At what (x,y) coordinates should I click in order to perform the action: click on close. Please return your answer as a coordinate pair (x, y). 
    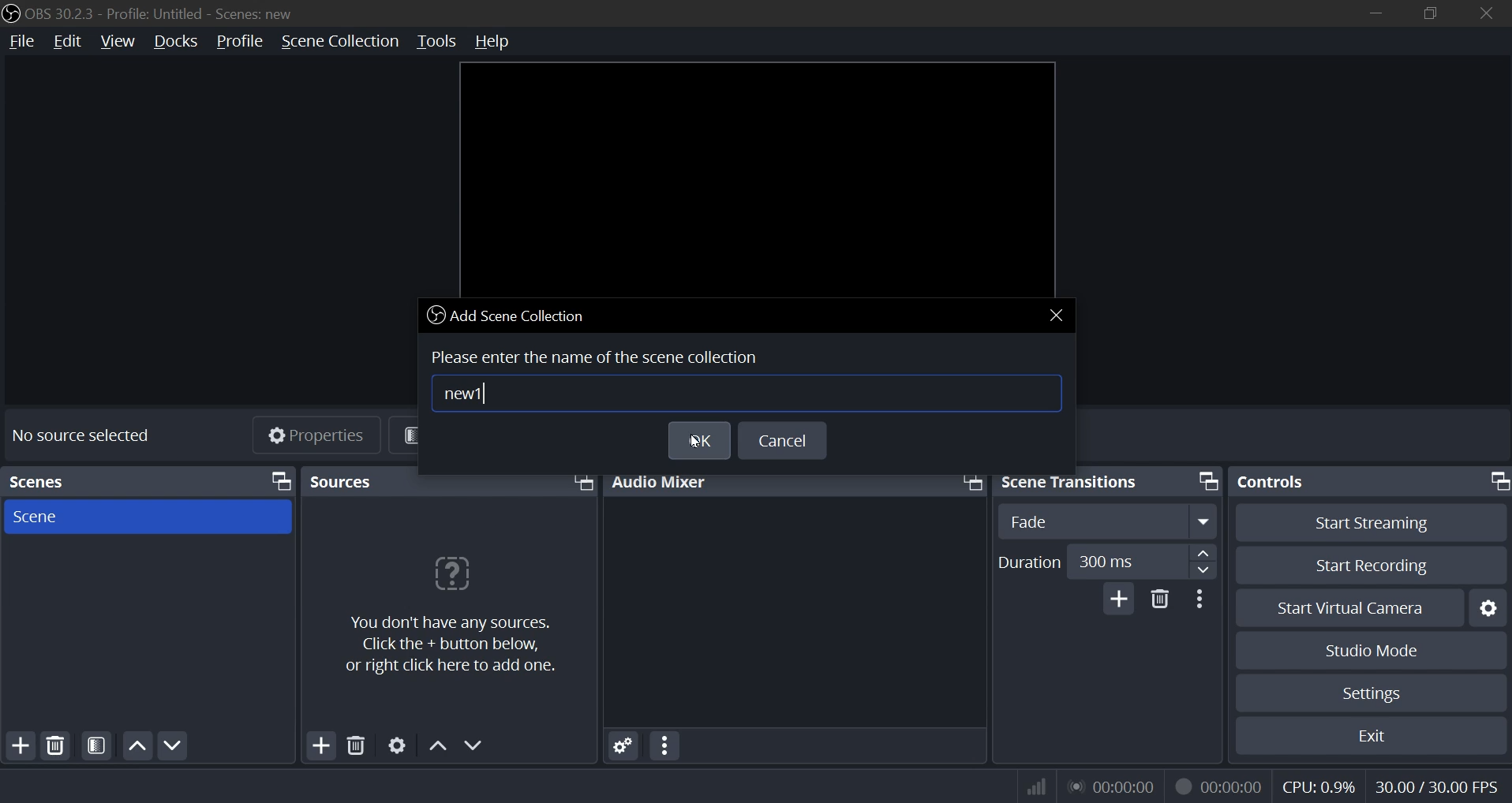
    Looking at the image, I should click on (1057, 314).